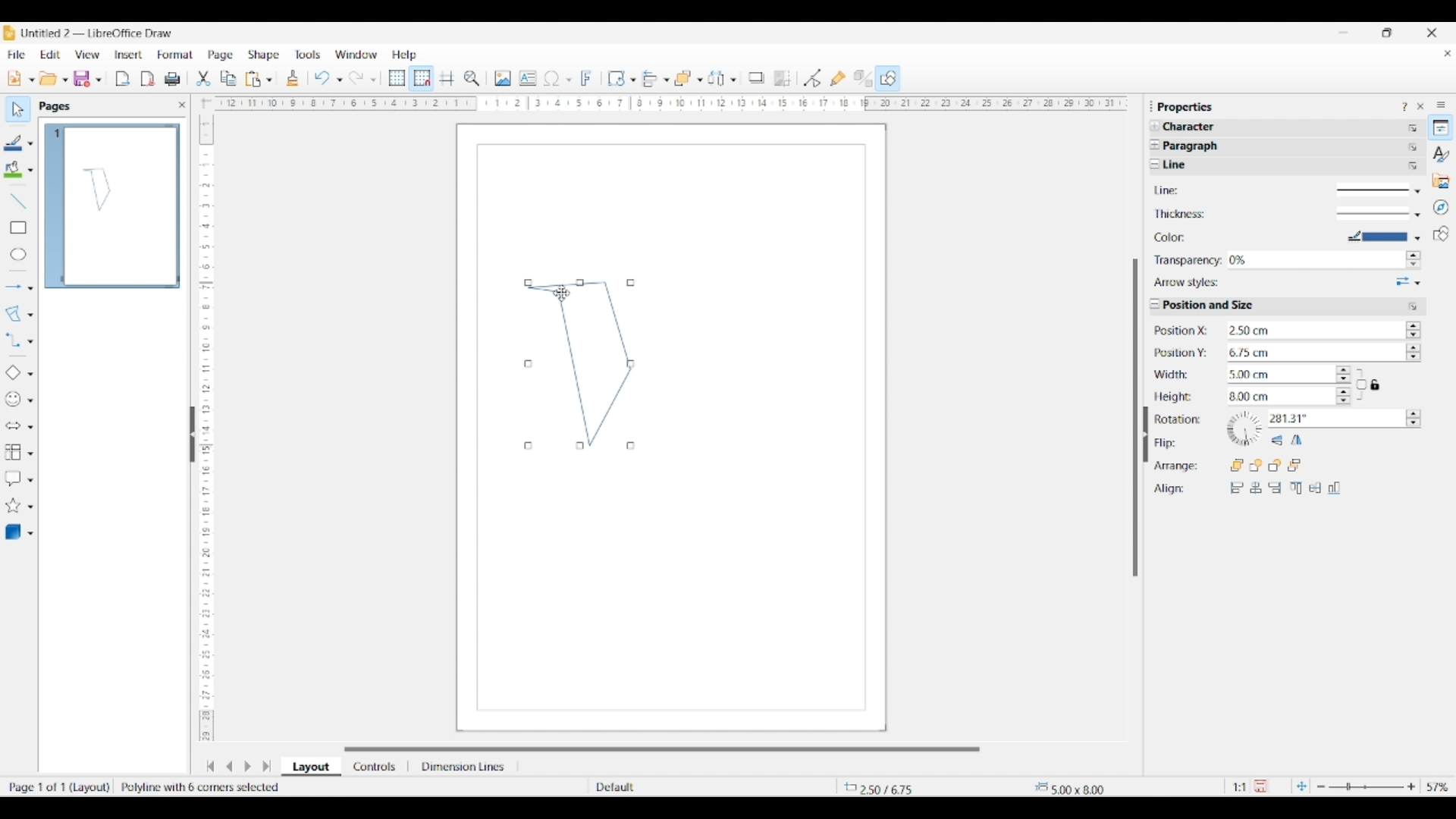 This screenshot has width=1456, height=819. Describe the element at coordinates (30, 453) in the screenshot. I see `Flowchart options` at that location.